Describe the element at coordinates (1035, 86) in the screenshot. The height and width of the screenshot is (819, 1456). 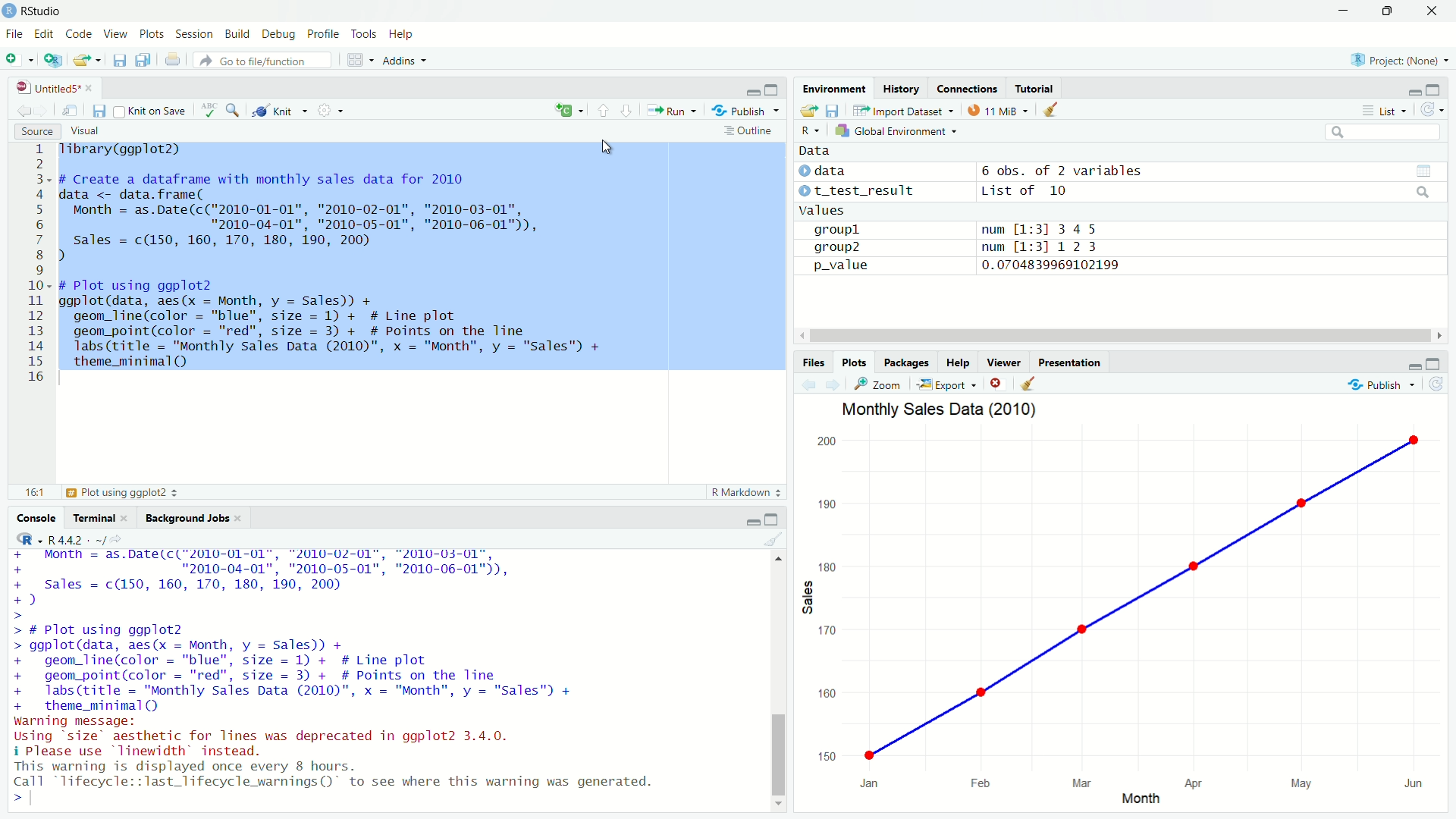
I see `Tutorial` at that location.